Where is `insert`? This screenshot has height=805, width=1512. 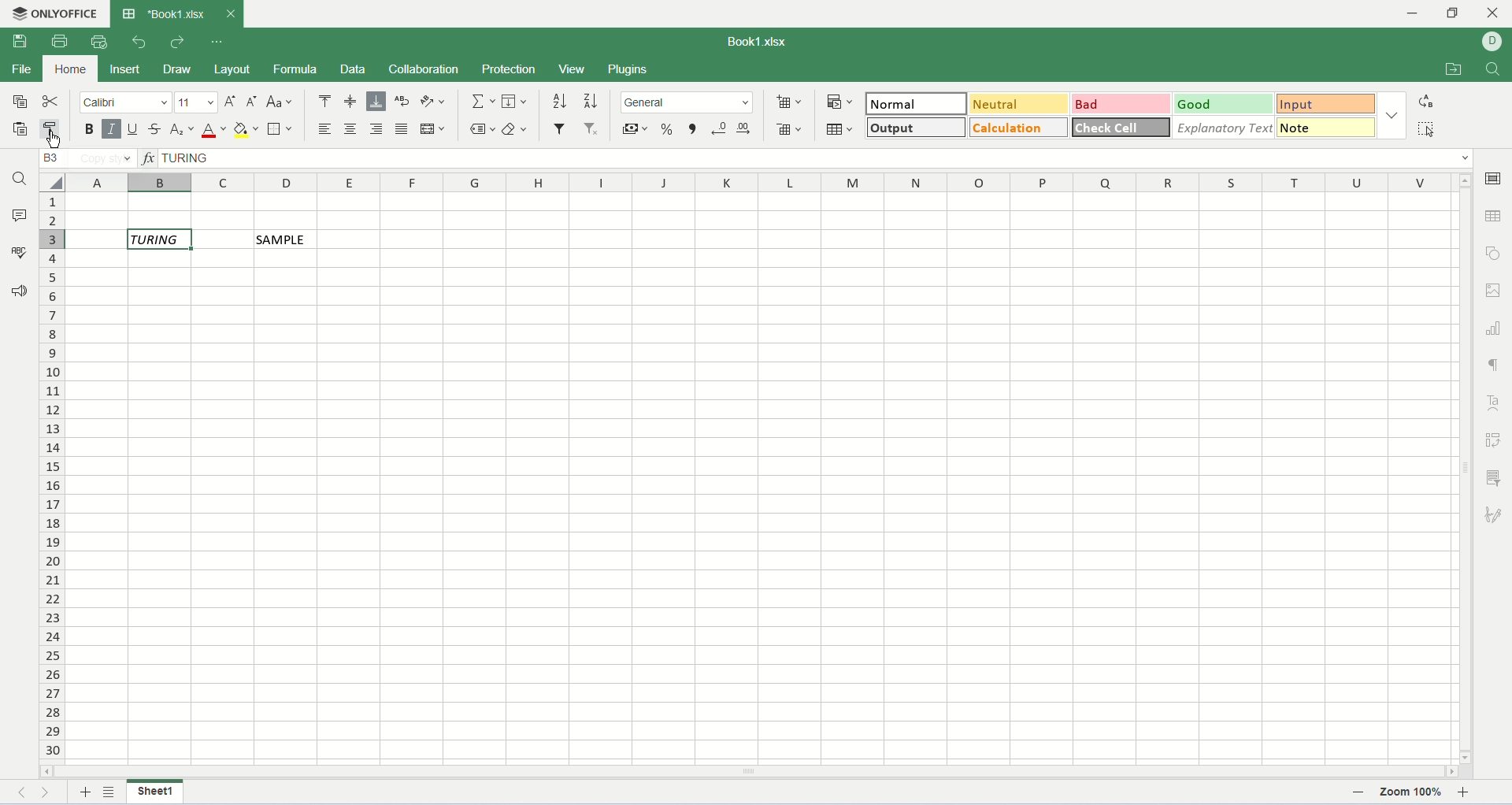 insert is located at coordinates (124, 69).